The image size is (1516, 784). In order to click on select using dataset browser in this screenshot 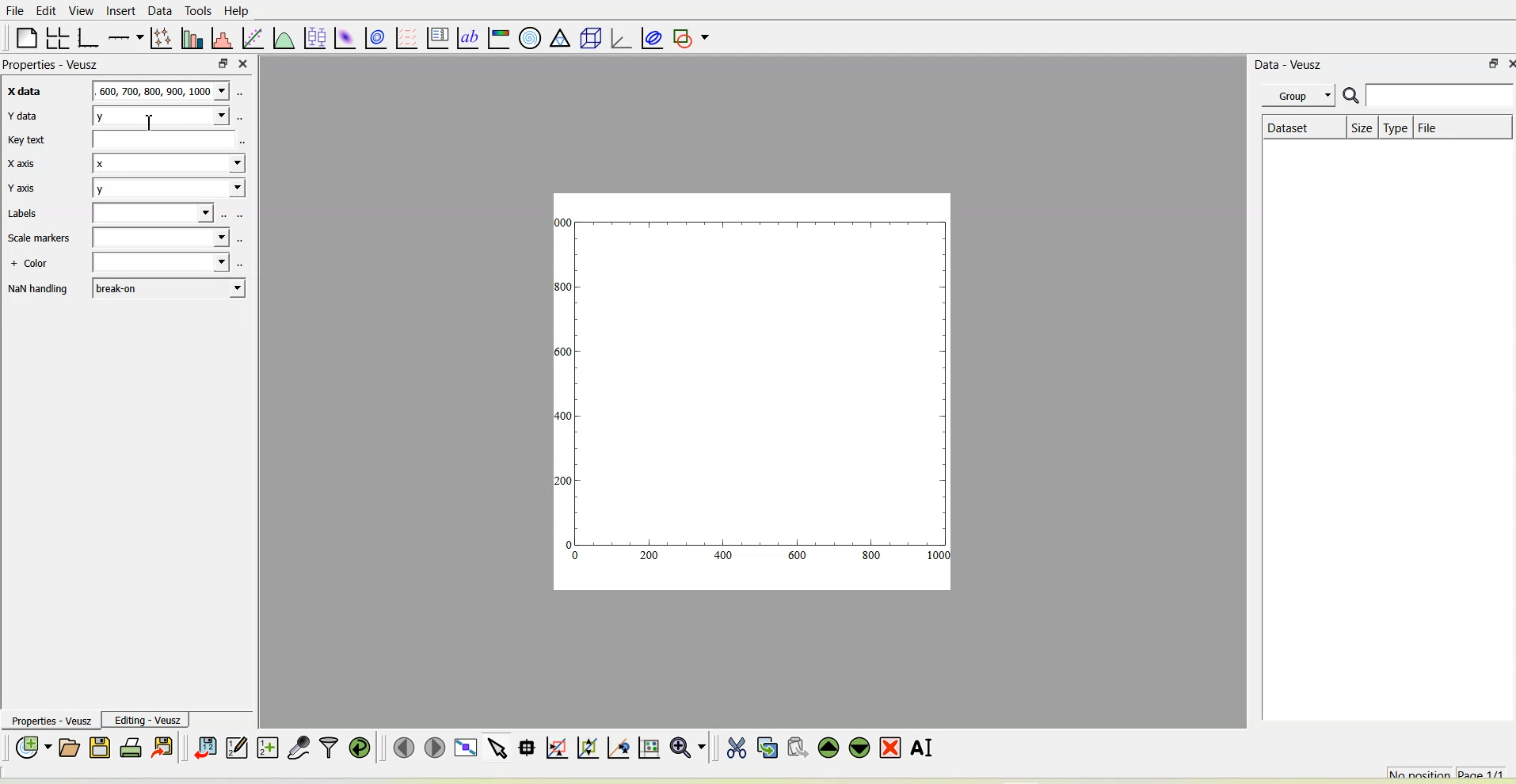, I will do `click(242, 263)`.